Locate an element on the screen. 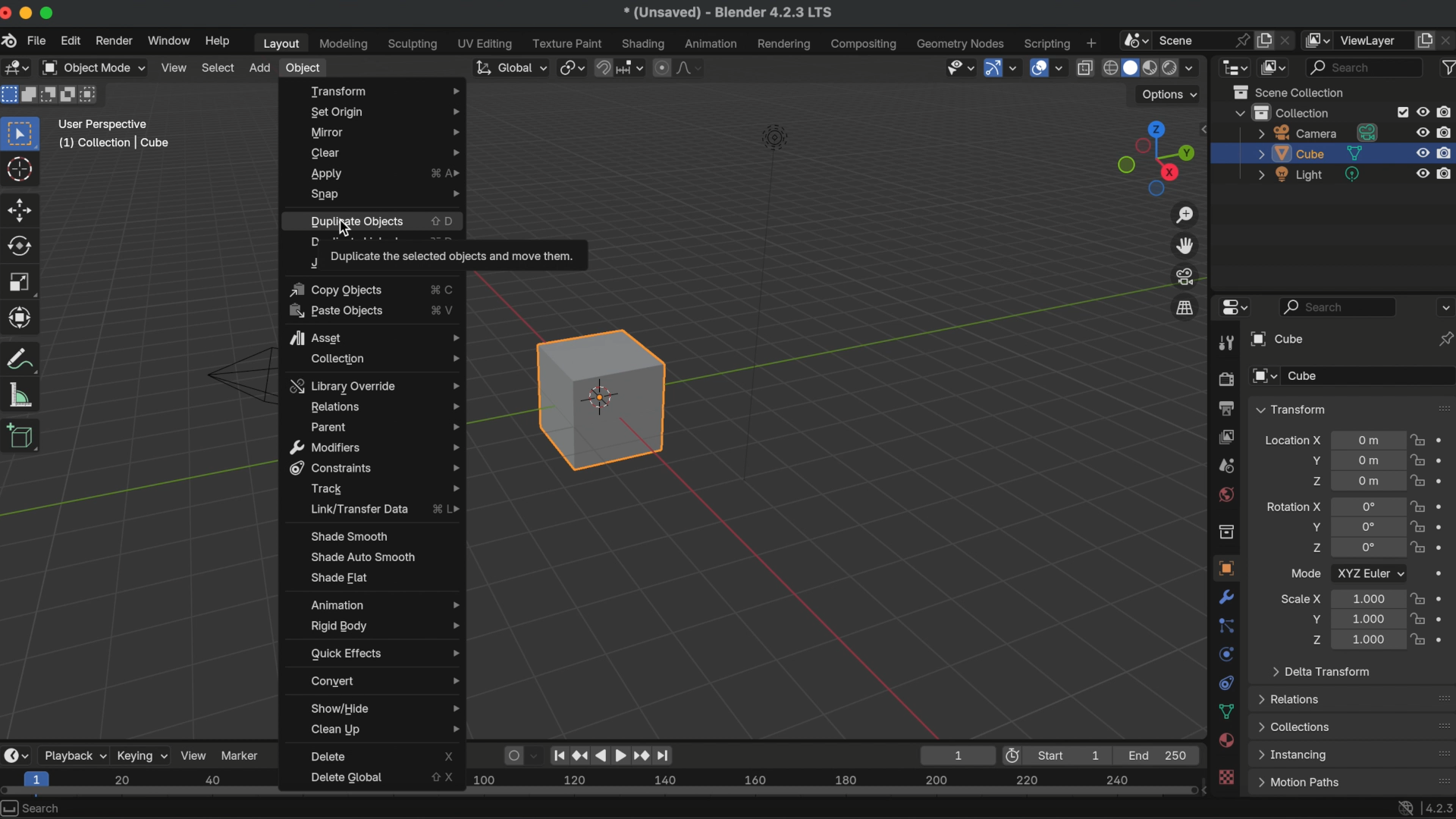  End 250 is located at coordinates (1159, 755).